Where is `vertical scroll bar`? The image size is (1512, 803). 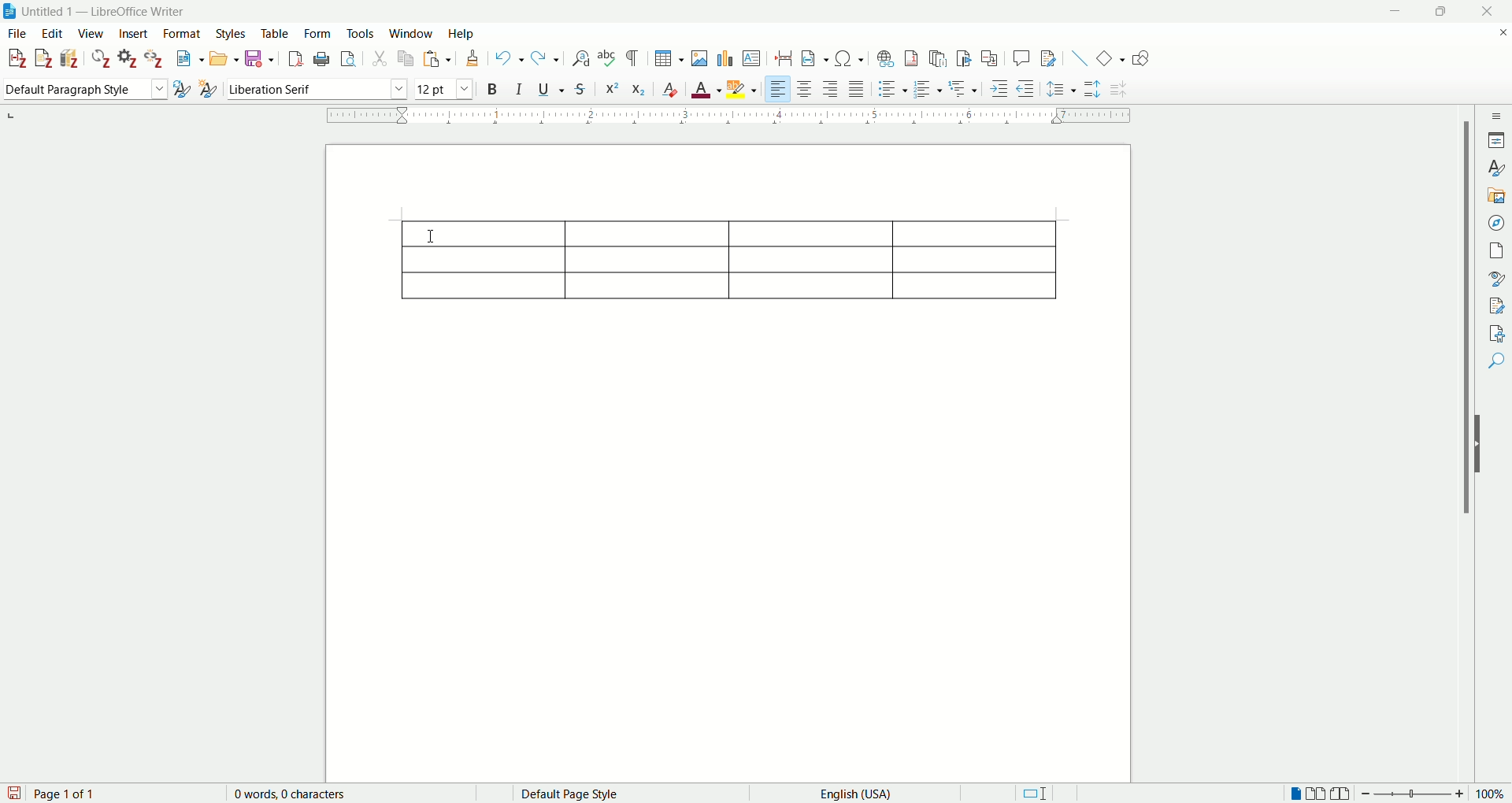
vertical scroll bar is located at coordinates (1467, 441).